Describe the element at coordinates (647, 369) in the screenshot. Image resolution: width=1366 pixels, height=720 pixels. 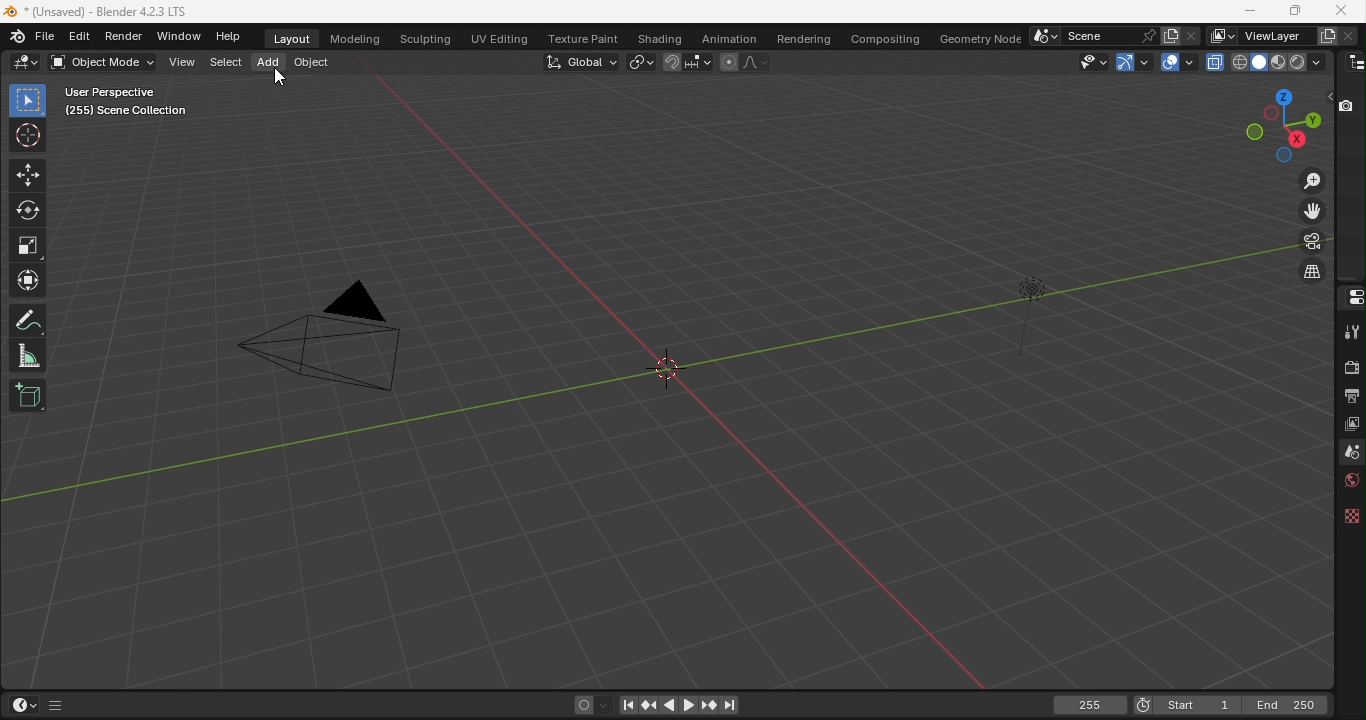
I see `Workspace` at that location.